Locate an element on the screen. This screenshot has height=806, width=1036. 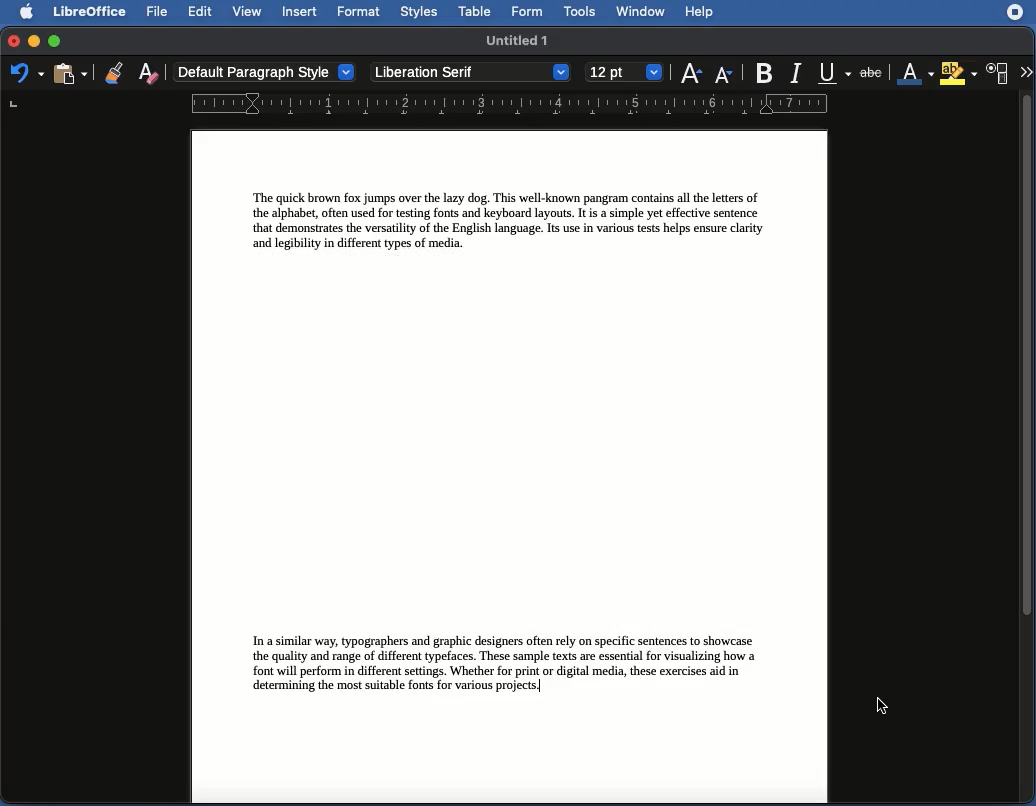
Ruler is located at coordinates (508, 105).